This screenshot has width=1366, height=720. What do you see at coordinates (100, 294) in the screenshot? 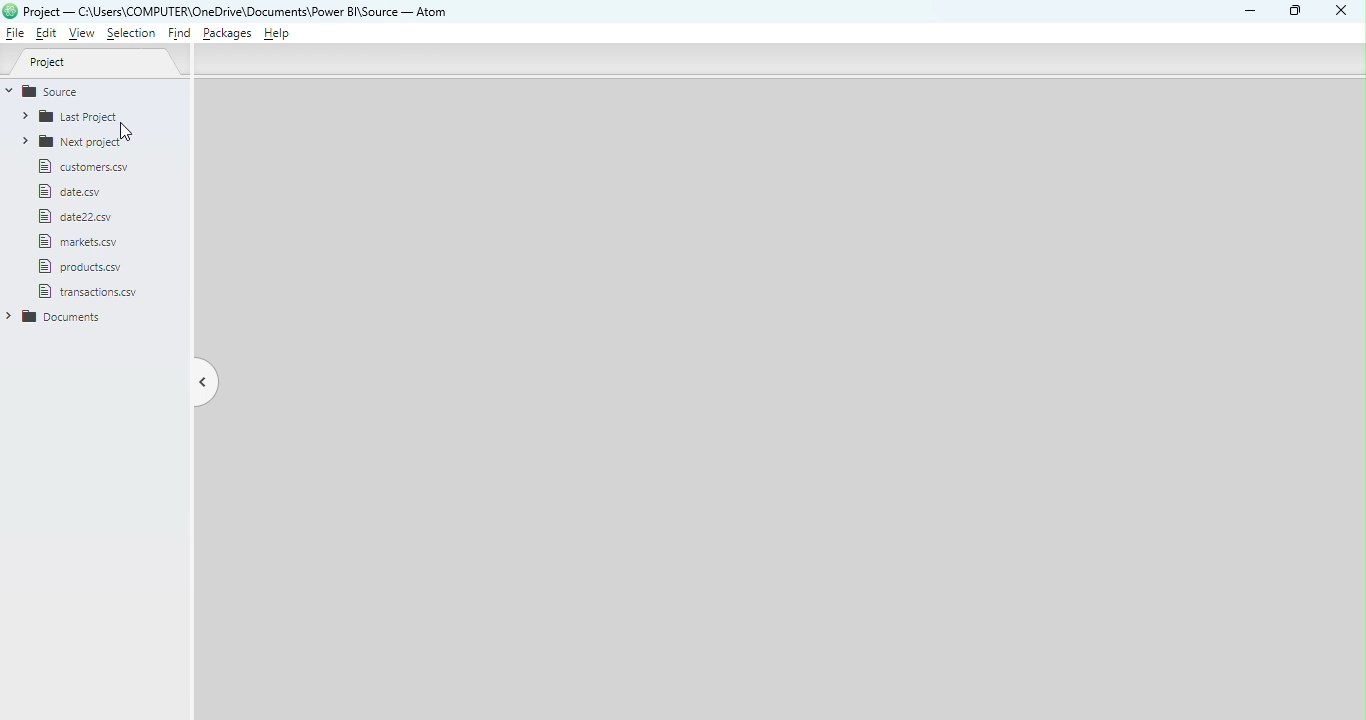
I see `file` at bounding box center [100, 294].